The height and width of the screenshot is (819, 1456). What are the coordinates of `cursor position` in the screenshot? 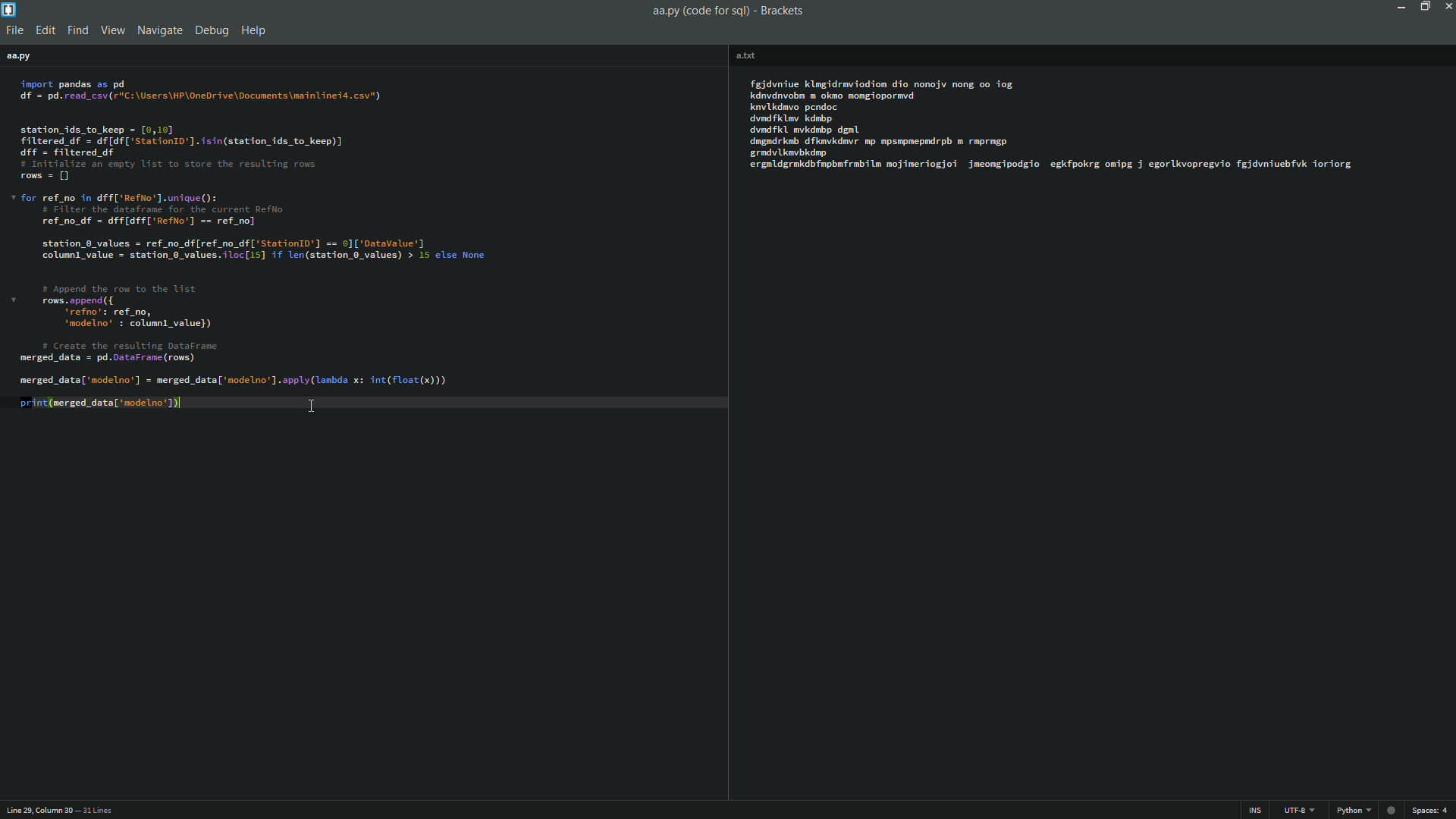 It's located at (63, 808).